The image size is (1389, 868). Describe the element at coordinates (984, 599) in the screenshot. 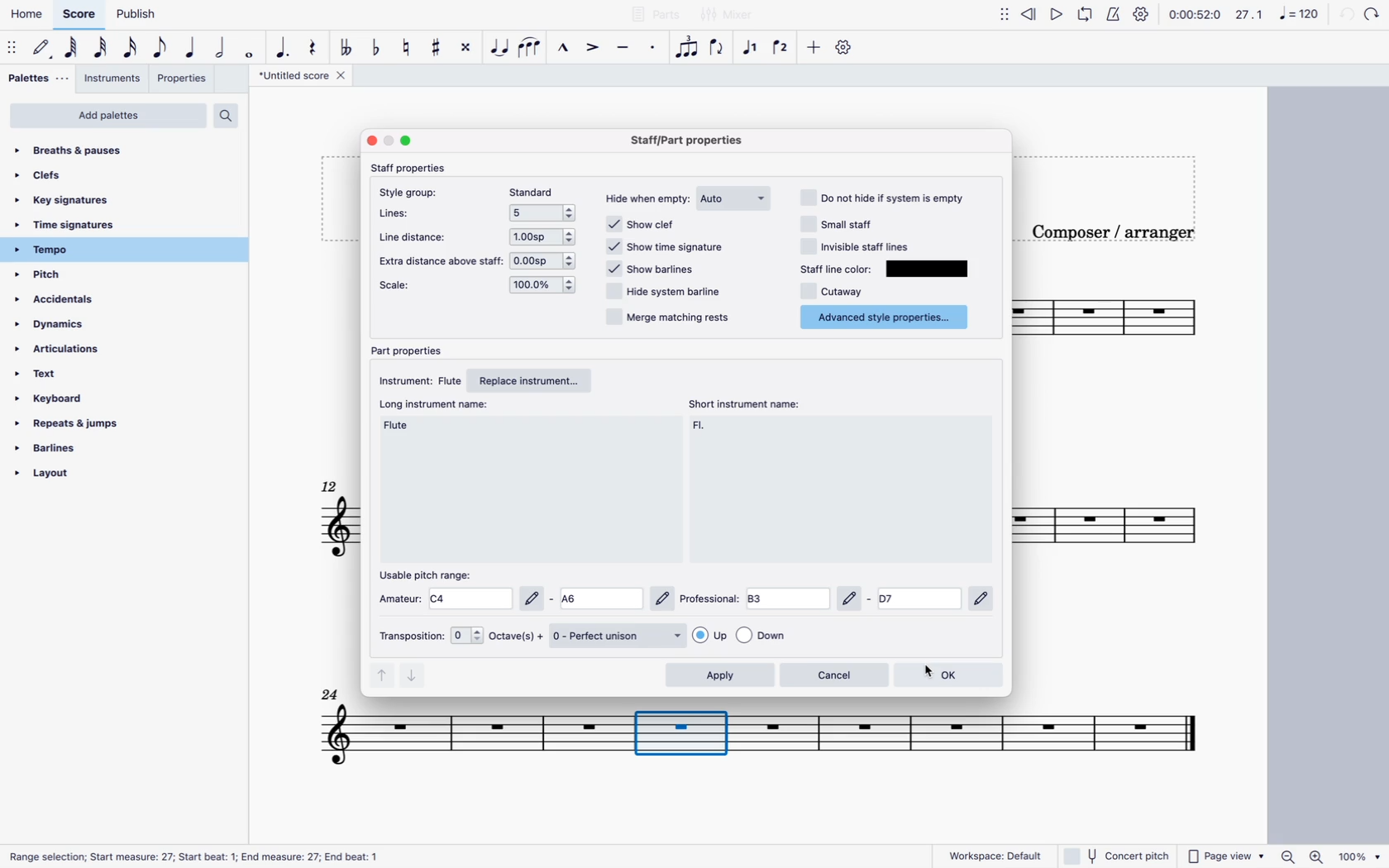

I see `` at that location.